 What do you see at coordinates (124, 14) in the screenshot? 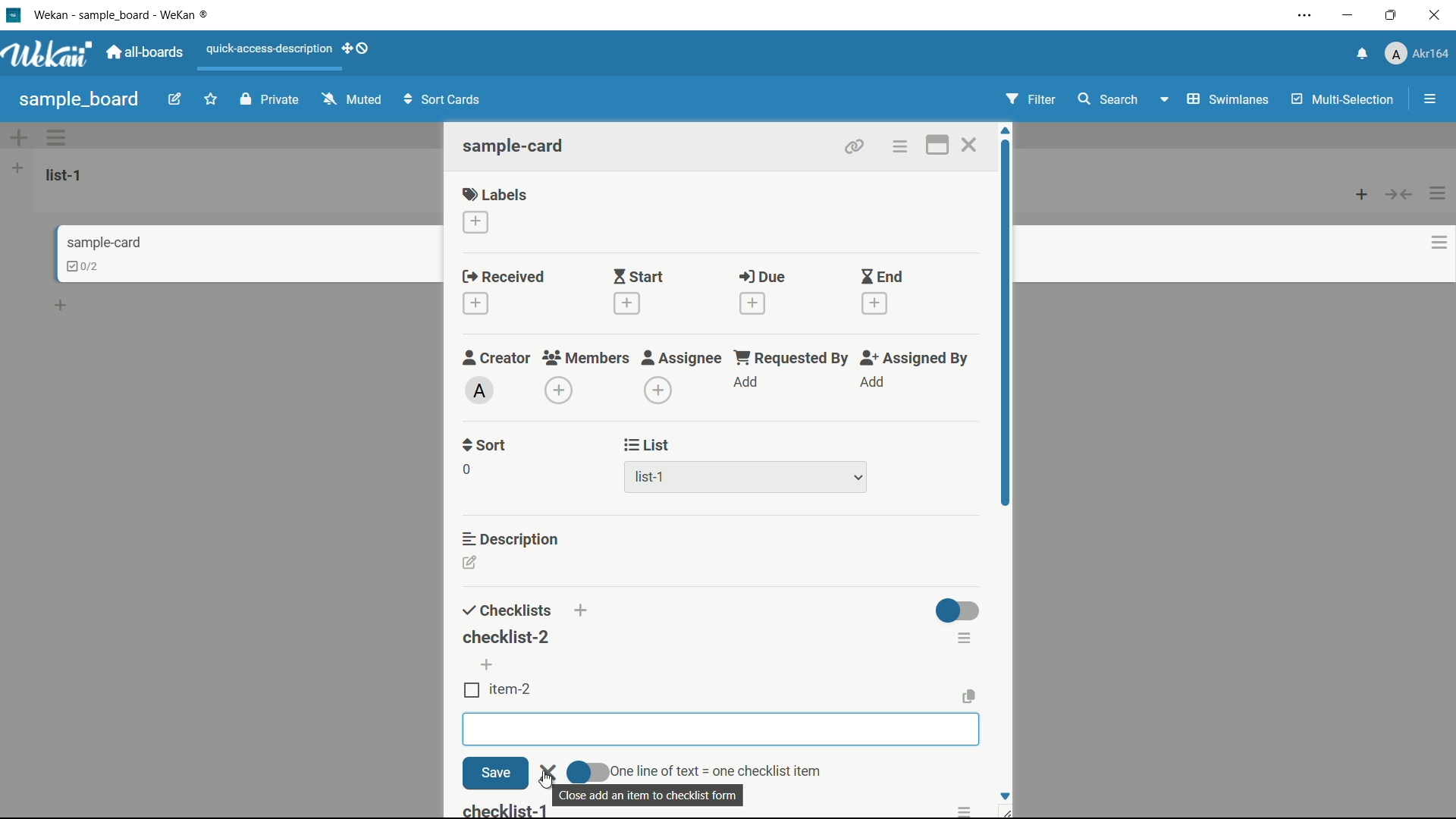
I see `app name` at bounding box center [124, 14].